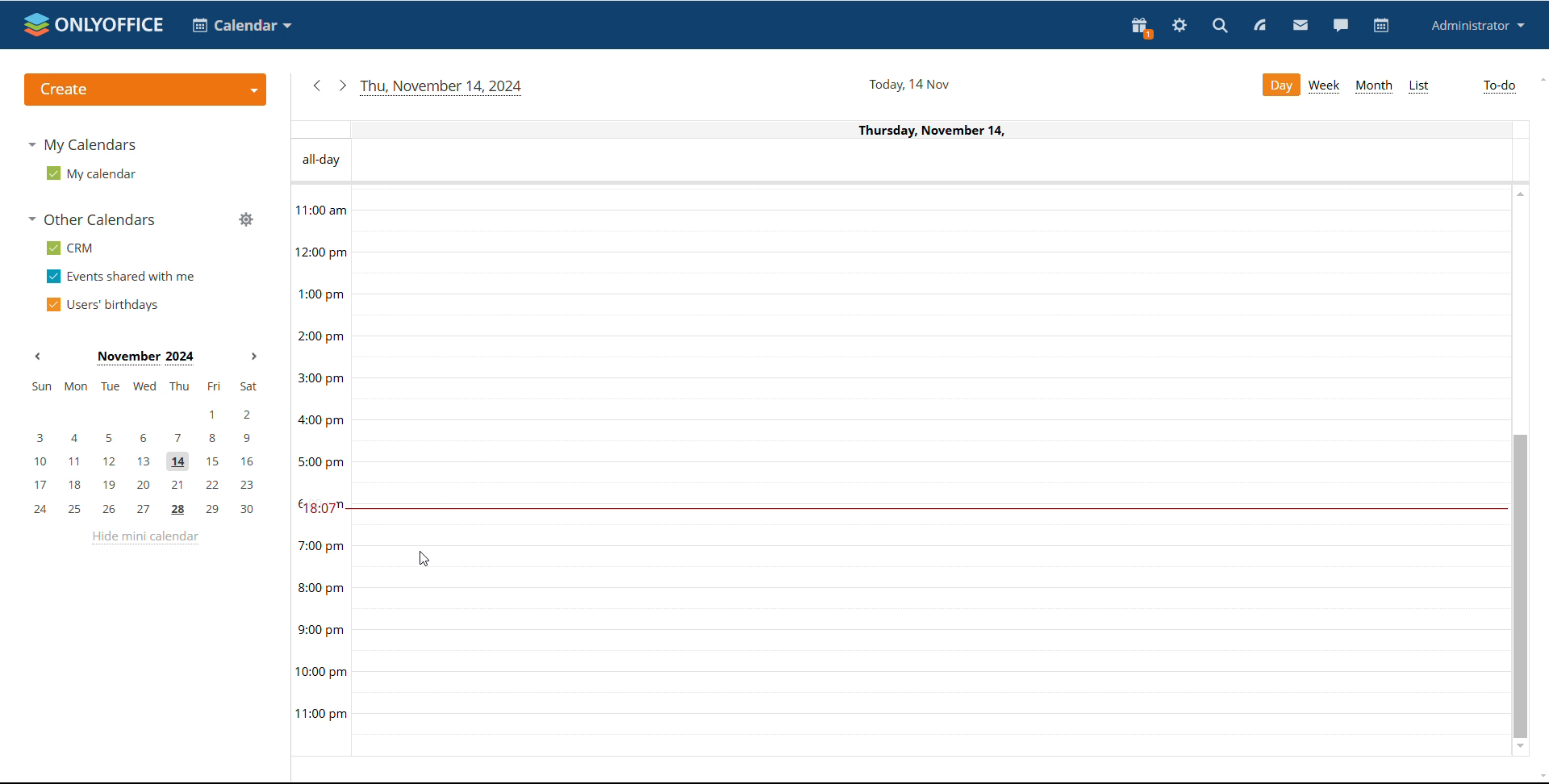  Describe the element at coordinates (1380, 27) in the screenshot. I see `calendar` at that location.